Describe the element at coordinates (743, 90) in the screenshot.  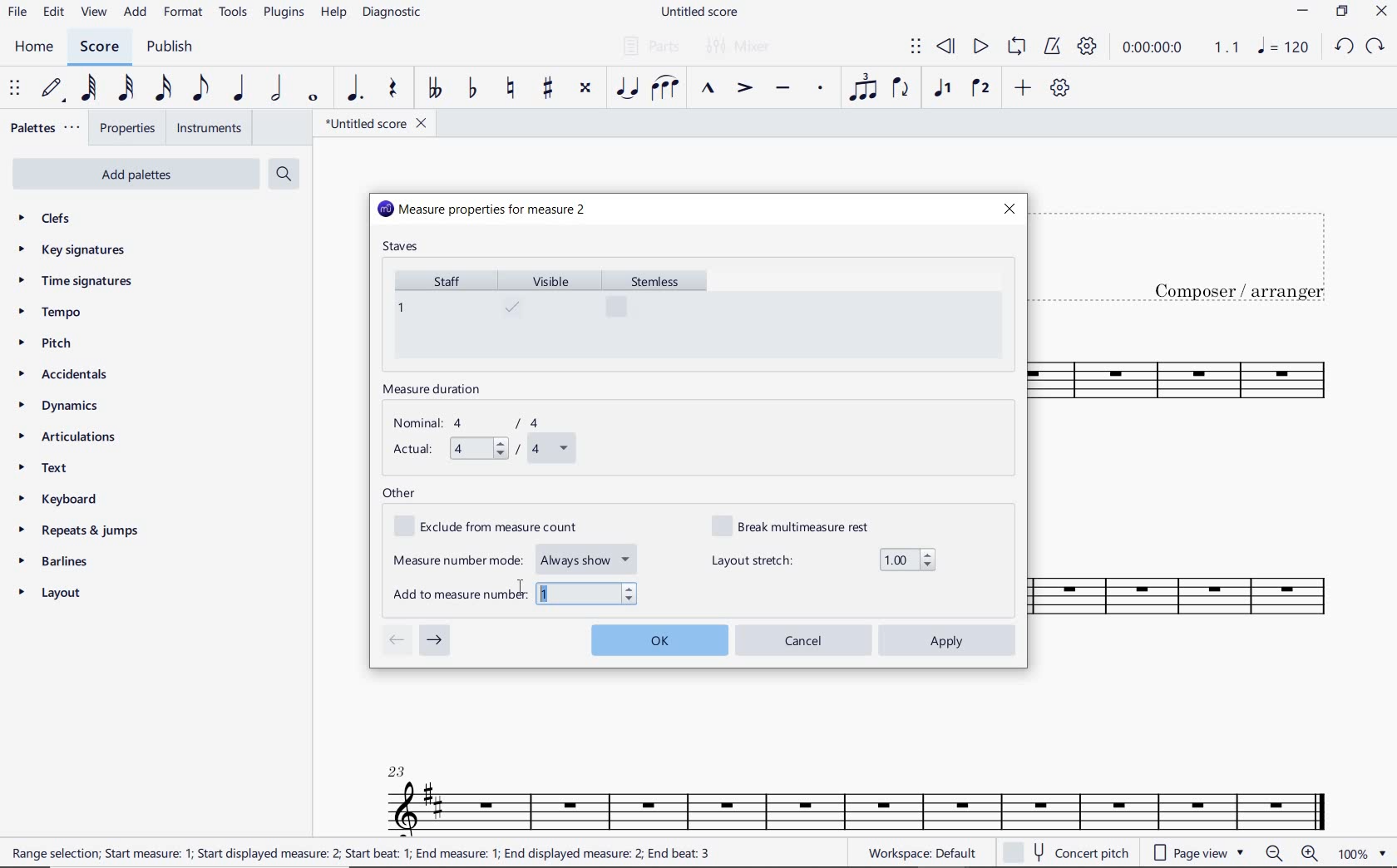
I see `ACCENT` at that location.